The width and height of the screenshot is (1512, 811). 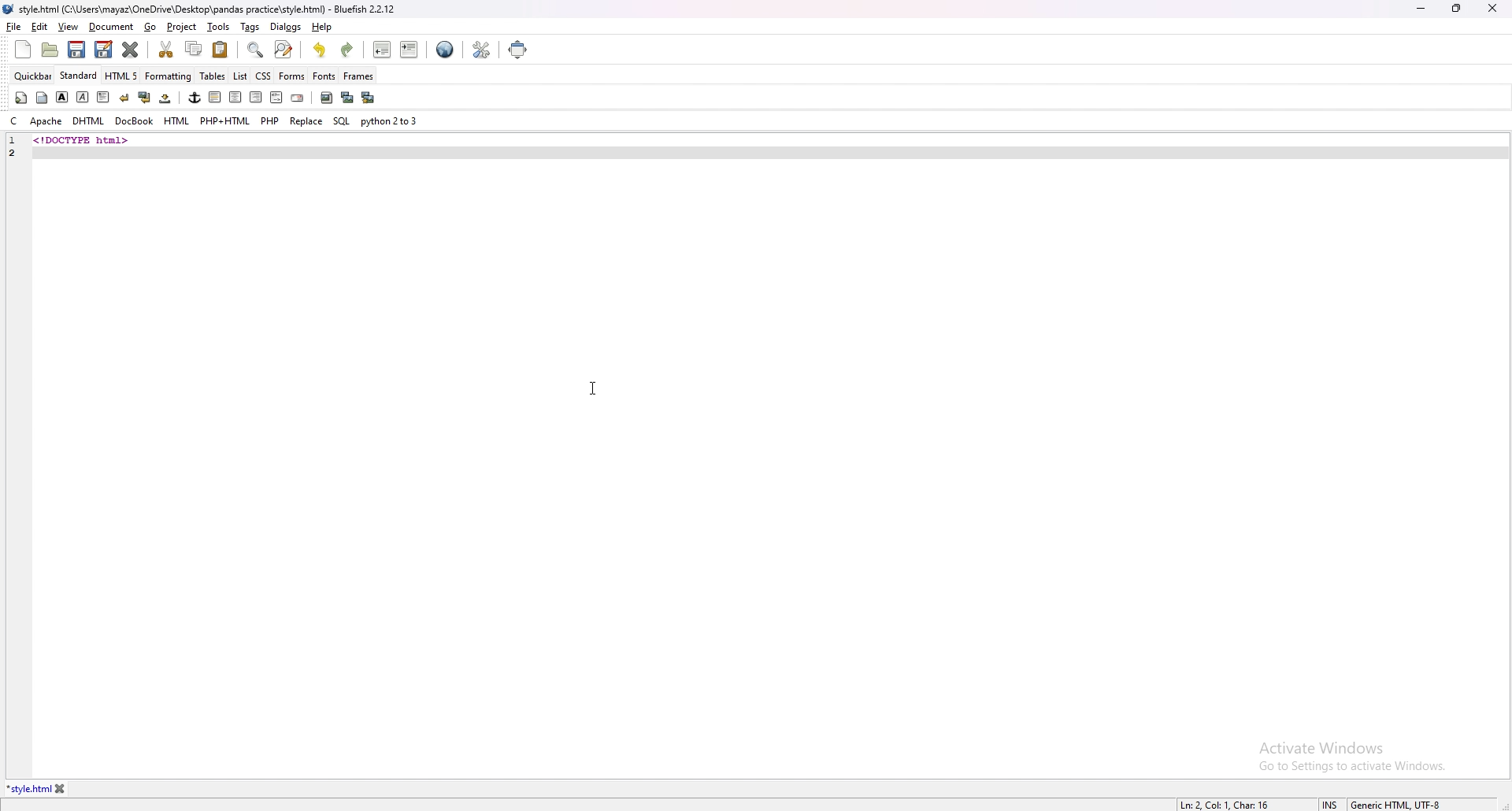 I want to click on paste, so click(x=220, y=49).